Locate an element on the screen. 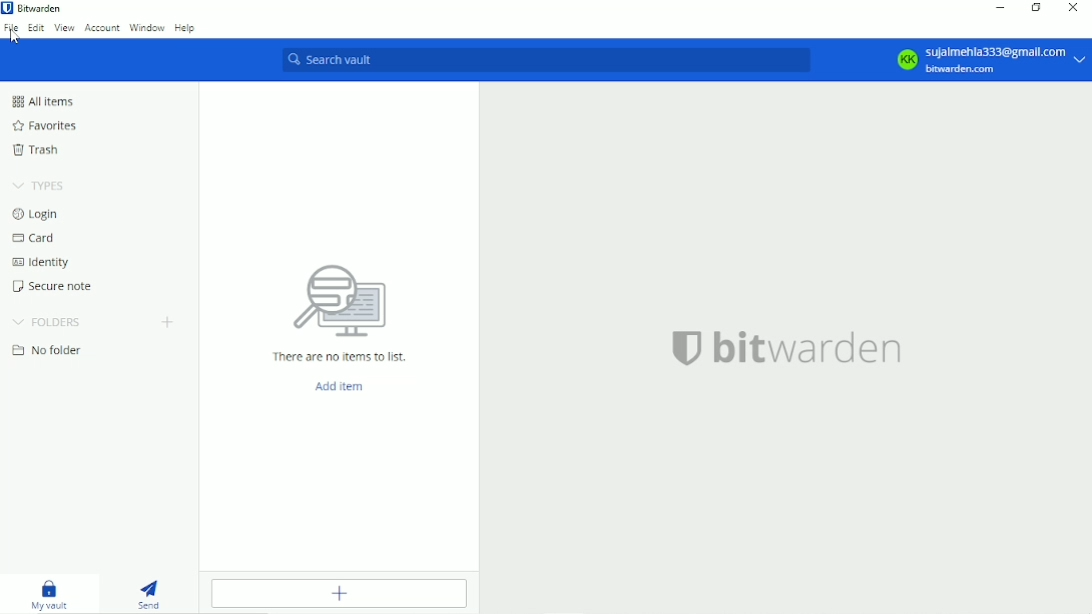 The width and height of the screenshot is (1092, 614). Bitwarden is located at coordinates (44, 9).